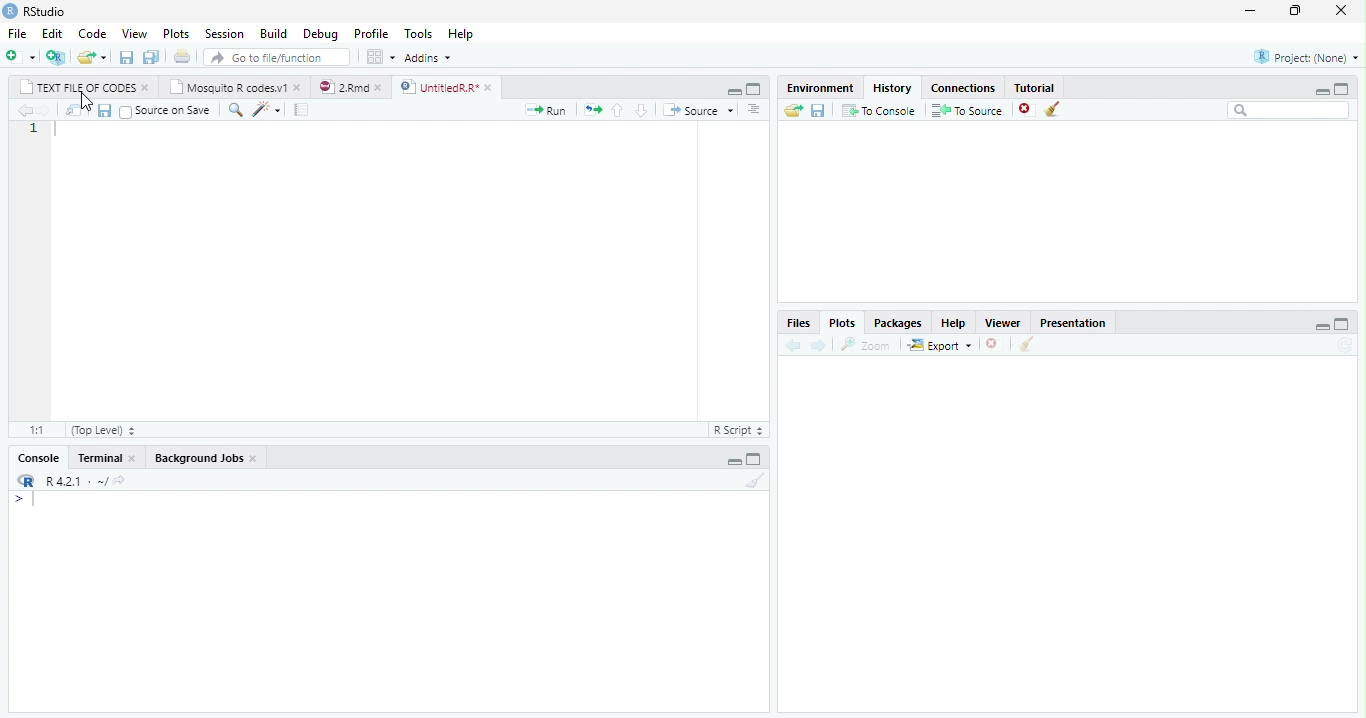  What do you see at coordinates (273, 31) in the screenshot?
I see `build` at bounding box center [273, 31].